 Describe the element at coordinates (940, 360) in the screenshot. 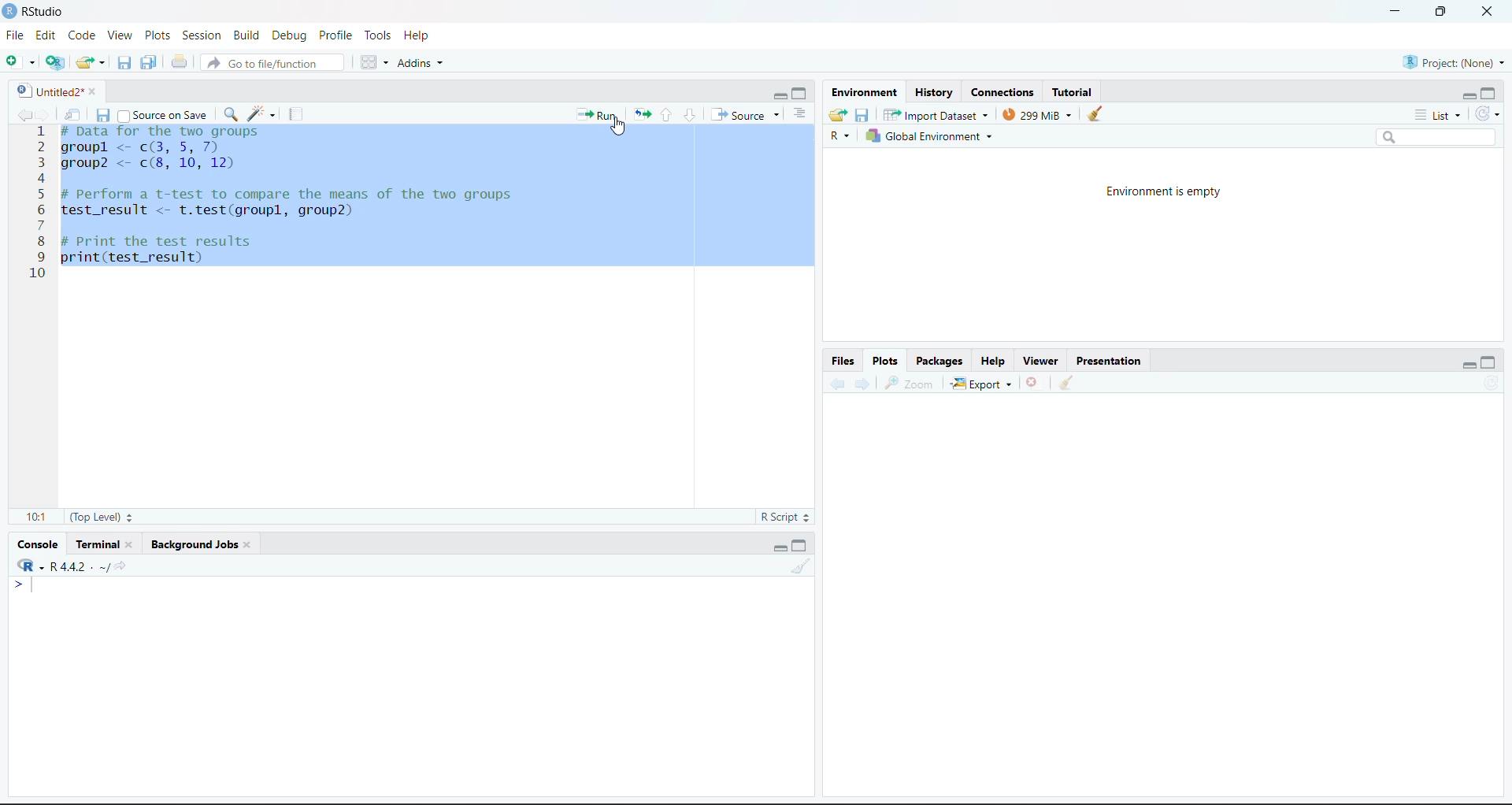

I see `Packages` at that location.